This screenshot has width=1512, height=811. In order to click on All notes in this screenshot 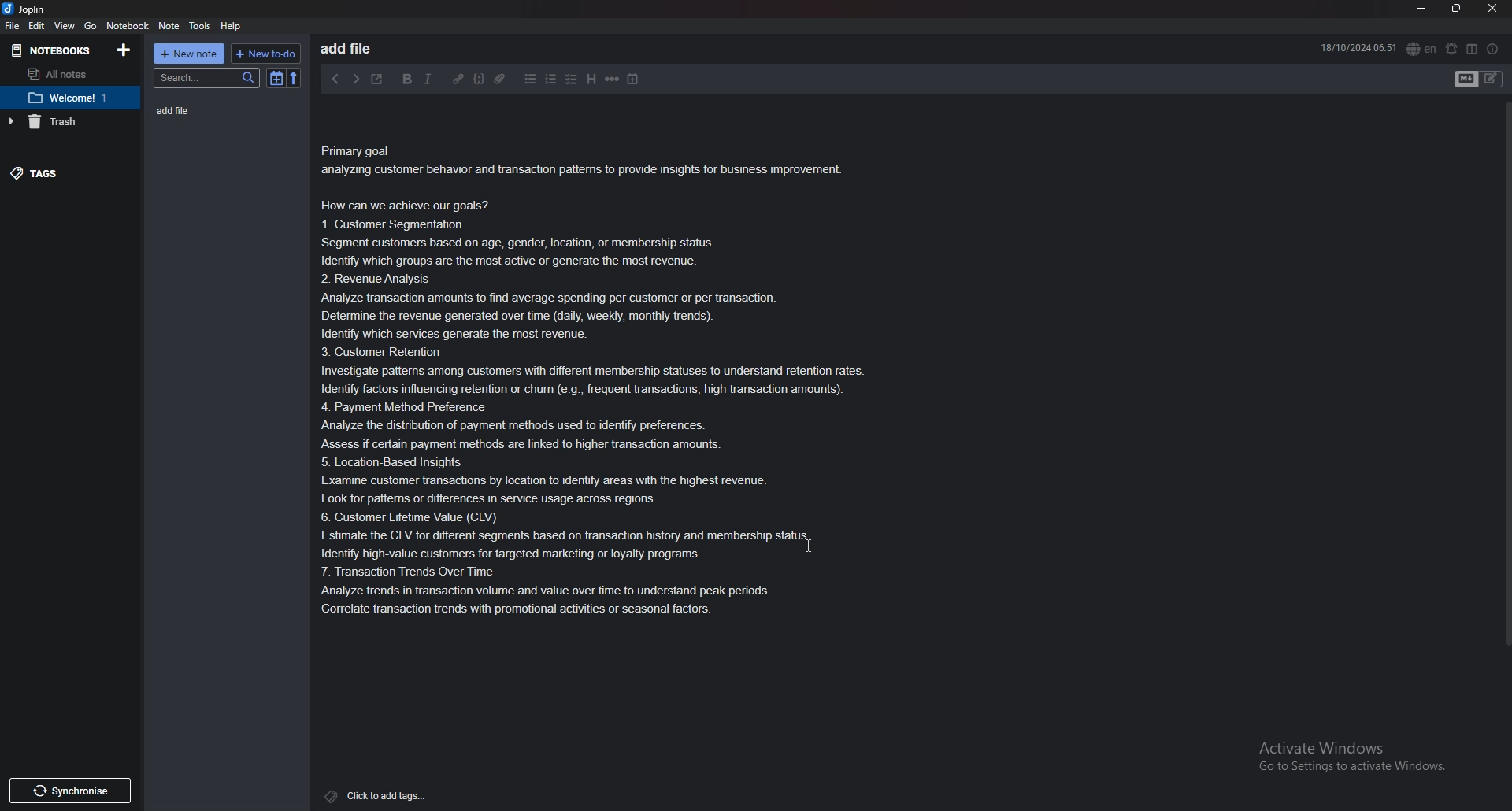, I will do `click(65, 75)`.